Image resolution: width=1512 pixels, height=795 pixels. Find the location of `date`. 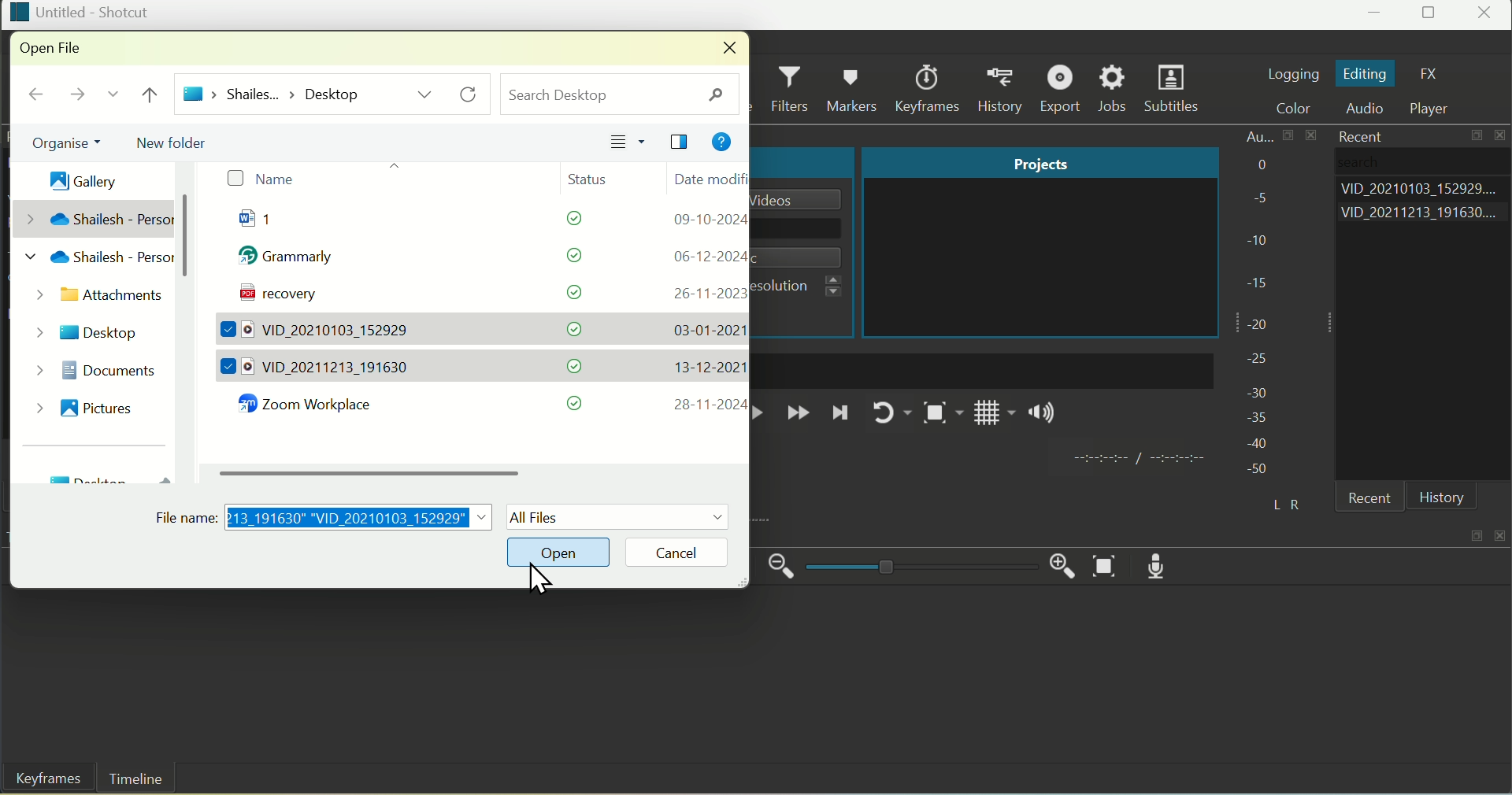

date is located at coordinates (707, 405).